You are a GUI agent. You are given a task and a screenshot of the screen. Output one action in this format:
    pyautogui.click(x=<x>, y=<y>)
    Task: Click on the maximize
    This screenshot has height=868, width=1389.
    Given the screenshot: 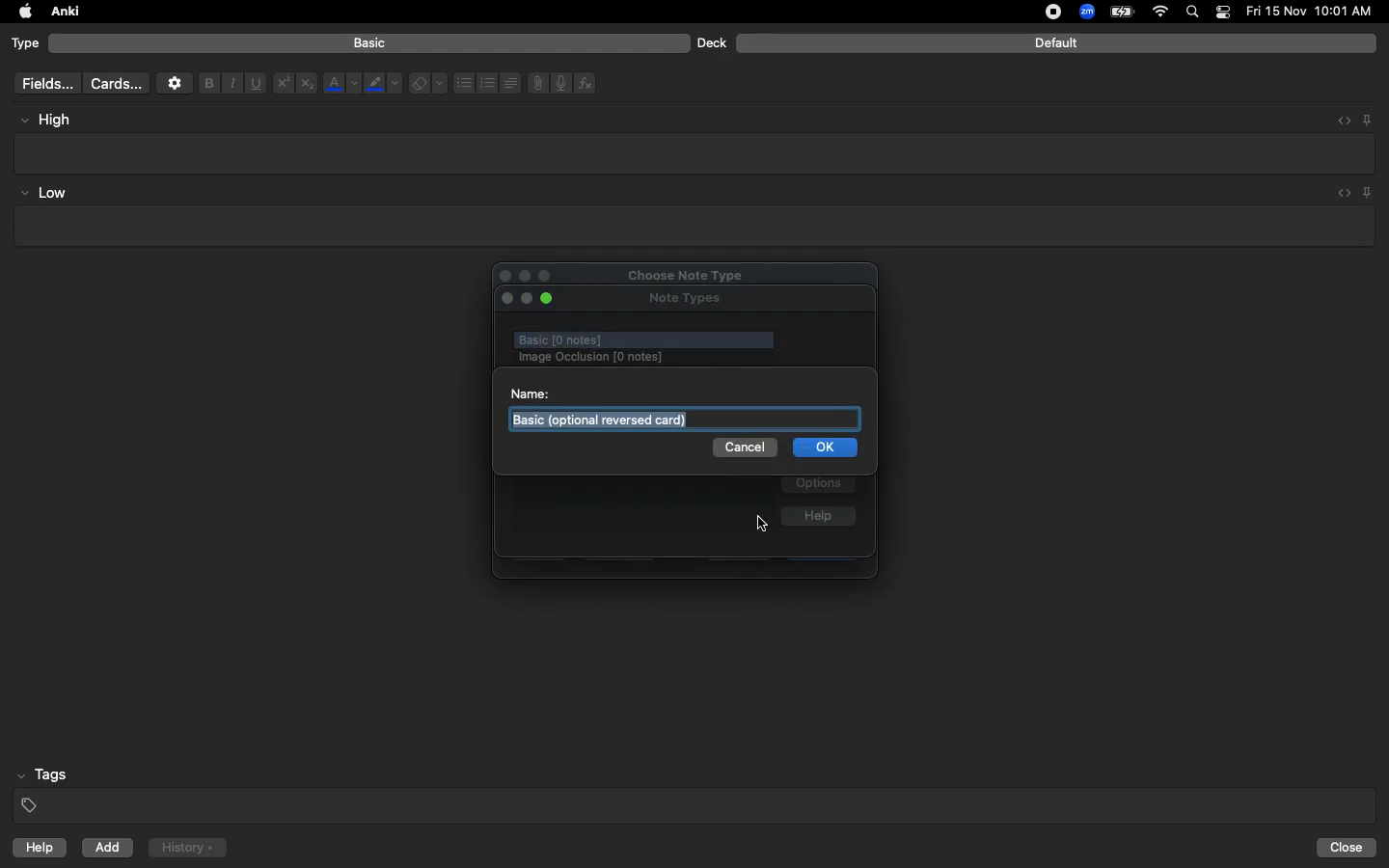 What is the action you would take?
    pyautogui.click(x=550, y=299)
    